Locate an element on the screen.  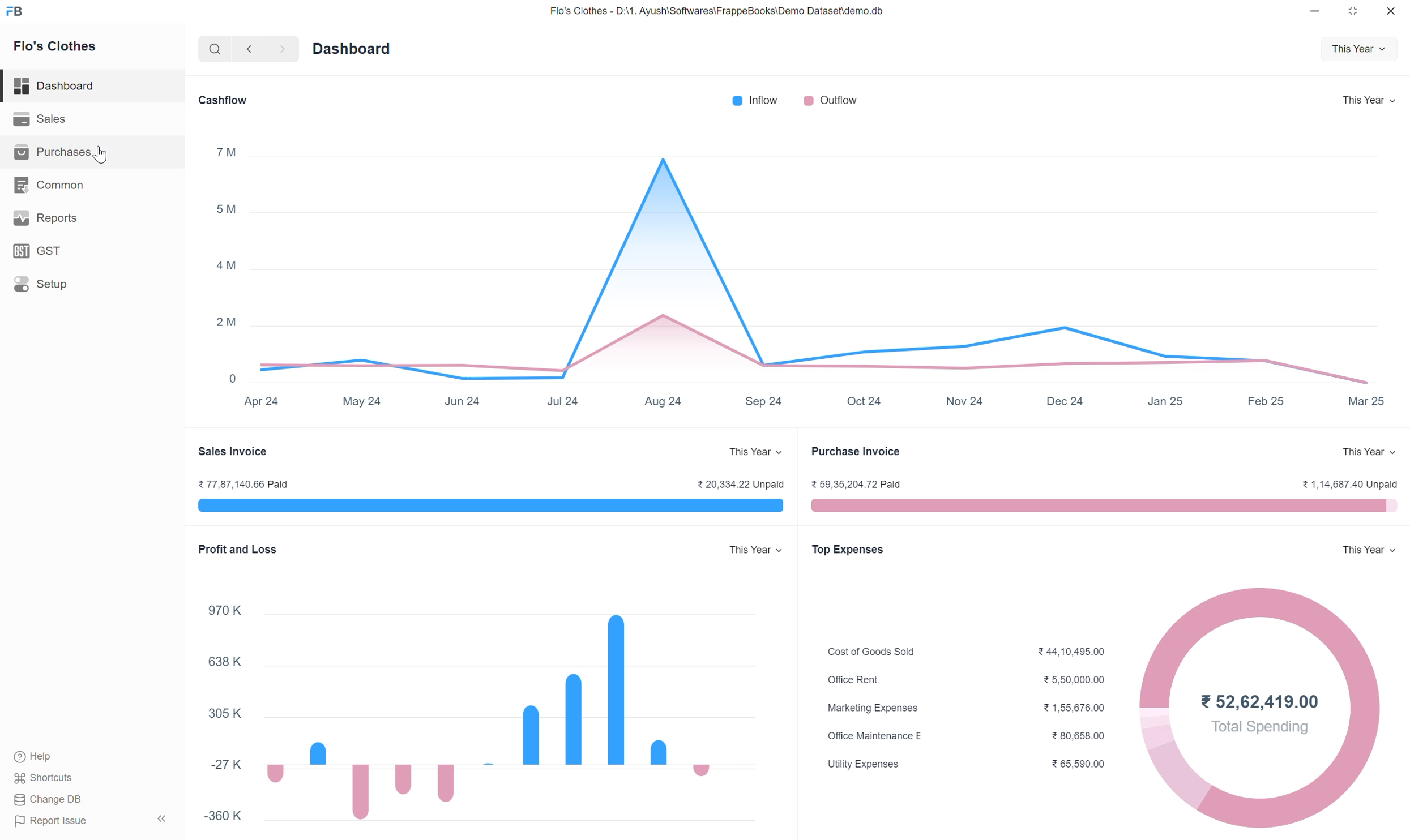
Purchase invoice is located at coordinates (854, 453).